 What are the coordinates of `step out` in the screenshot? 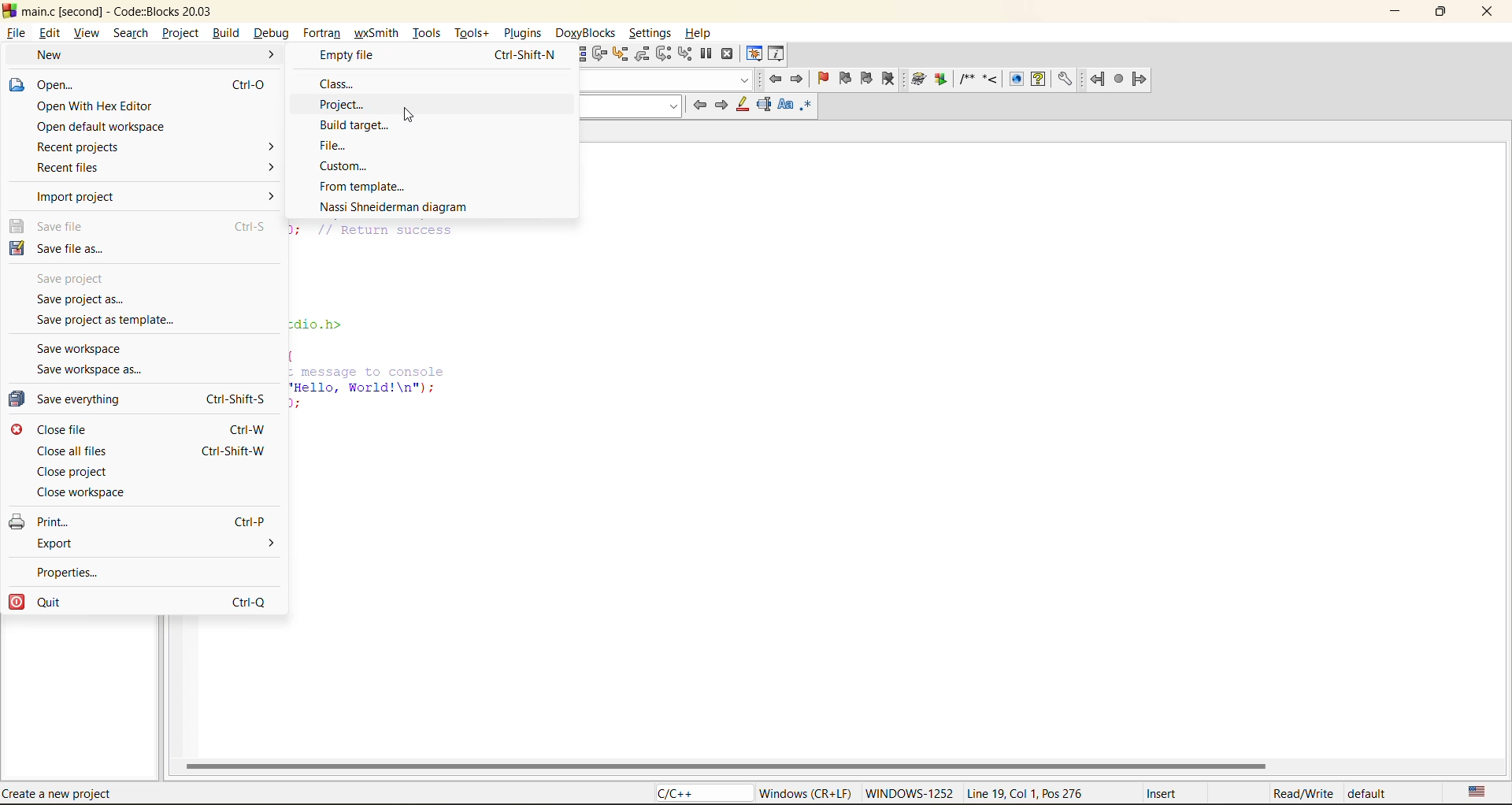 It's located at (643, 54).